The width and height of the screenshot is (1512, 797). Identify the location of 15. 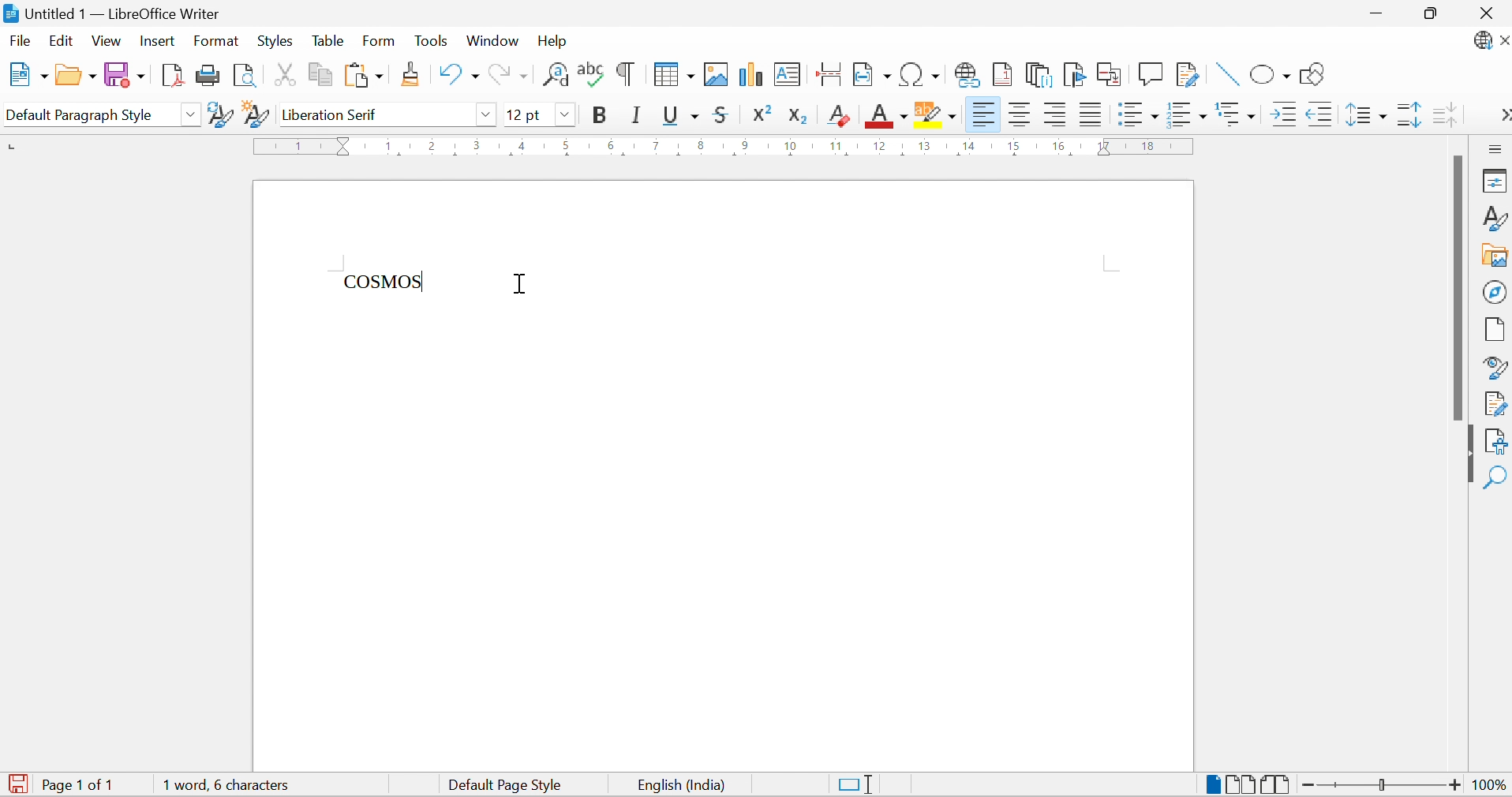
(1014, 146).